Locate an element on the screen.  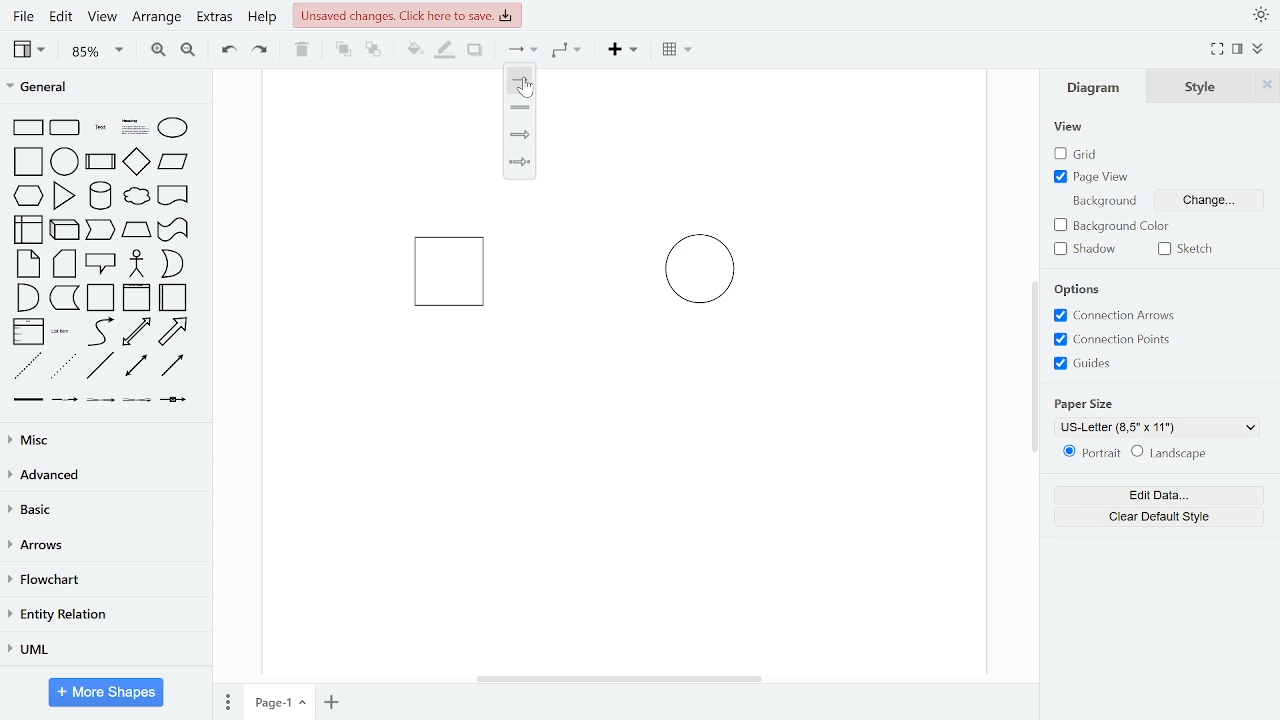
insert is located at coordinates (628, 50).